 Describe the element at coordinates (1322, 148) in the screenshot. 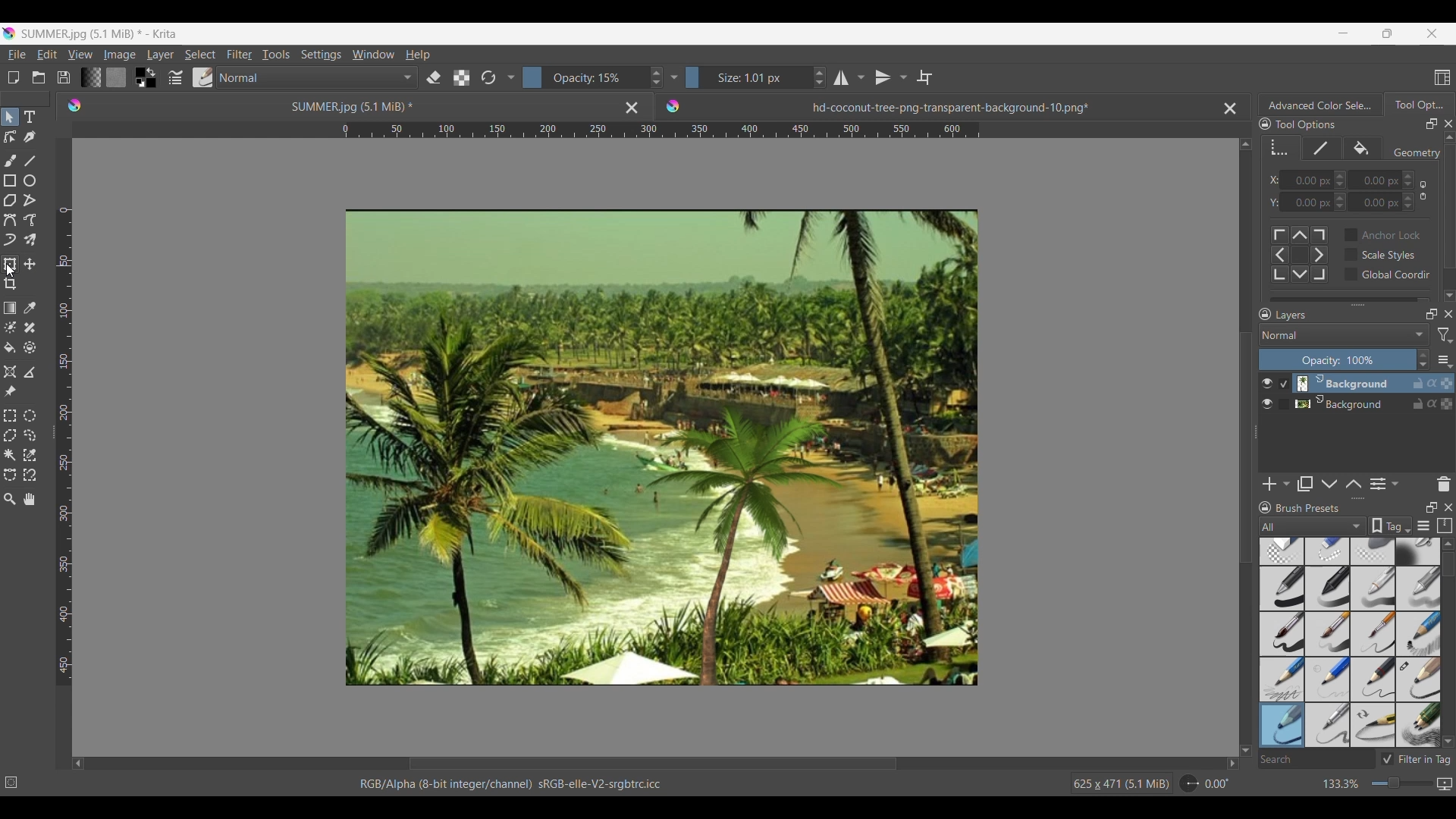

I see `Stroke` at that location.